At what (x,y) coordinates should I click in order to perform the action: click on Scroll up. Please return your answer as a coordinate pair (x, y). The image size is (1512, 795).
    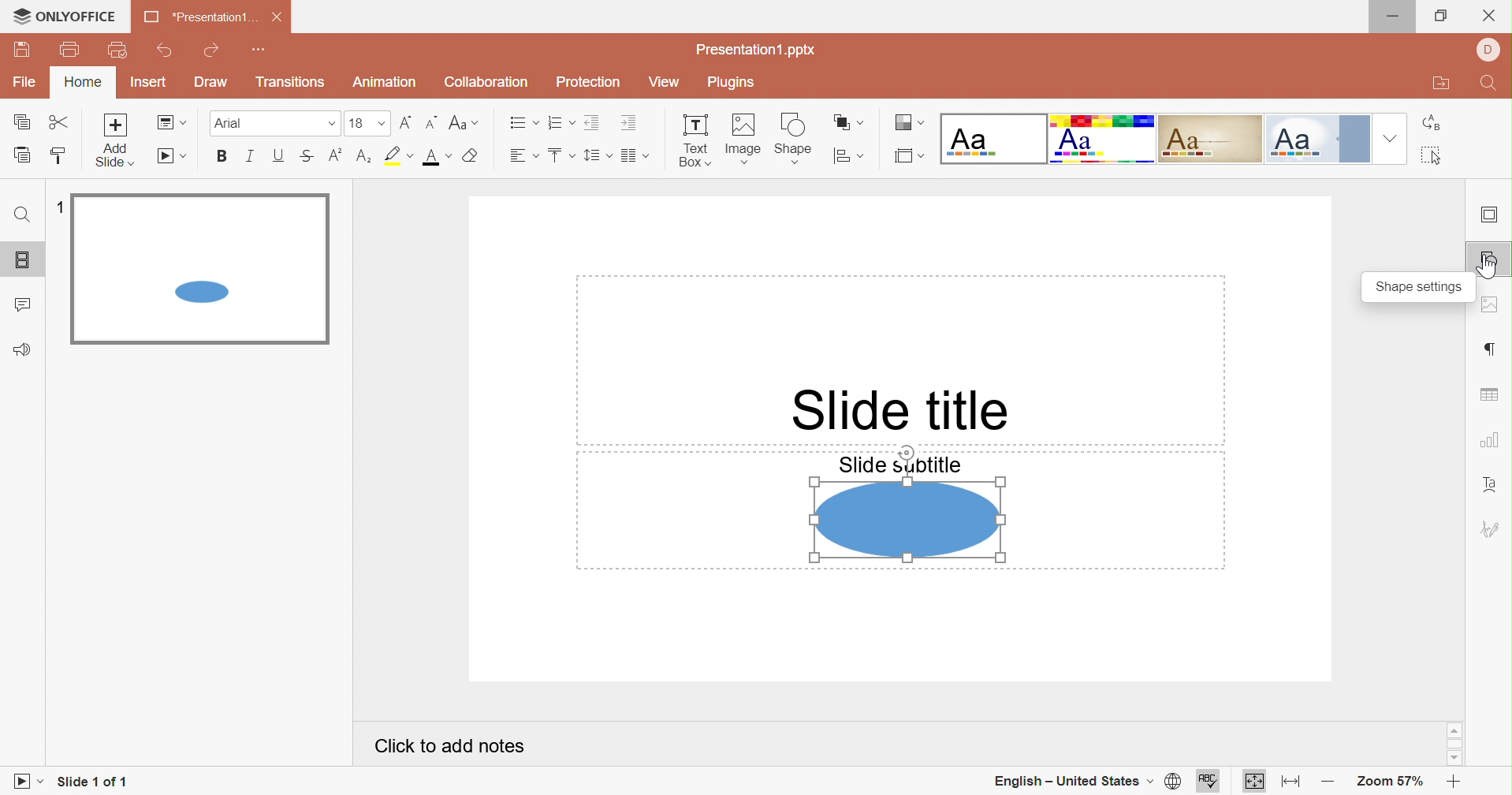
    Looking at the image, I should click on (1454, 731).